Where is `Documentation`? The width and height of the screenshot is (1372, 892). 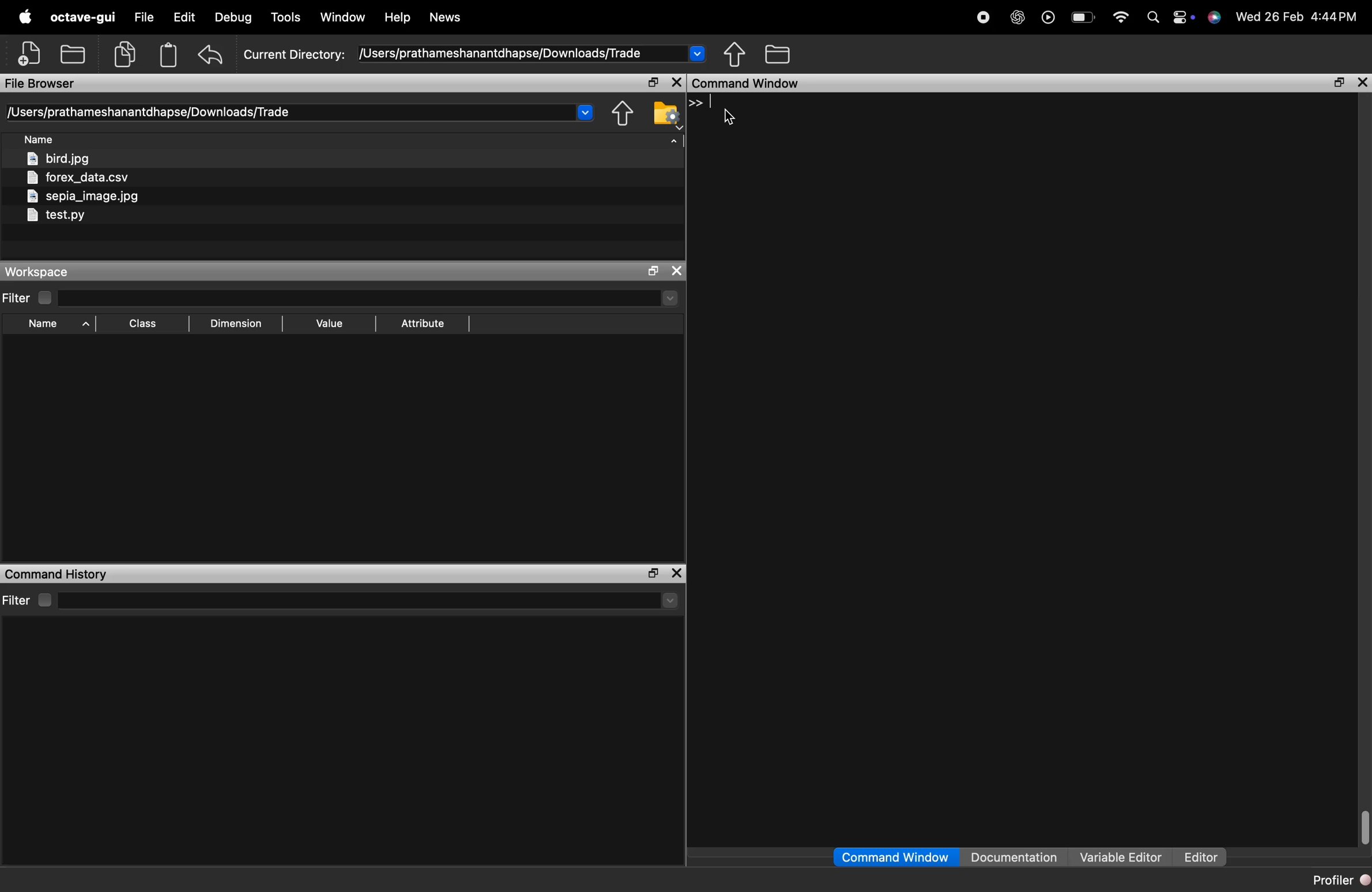 Documentation is located at coordinates (1015, 856).